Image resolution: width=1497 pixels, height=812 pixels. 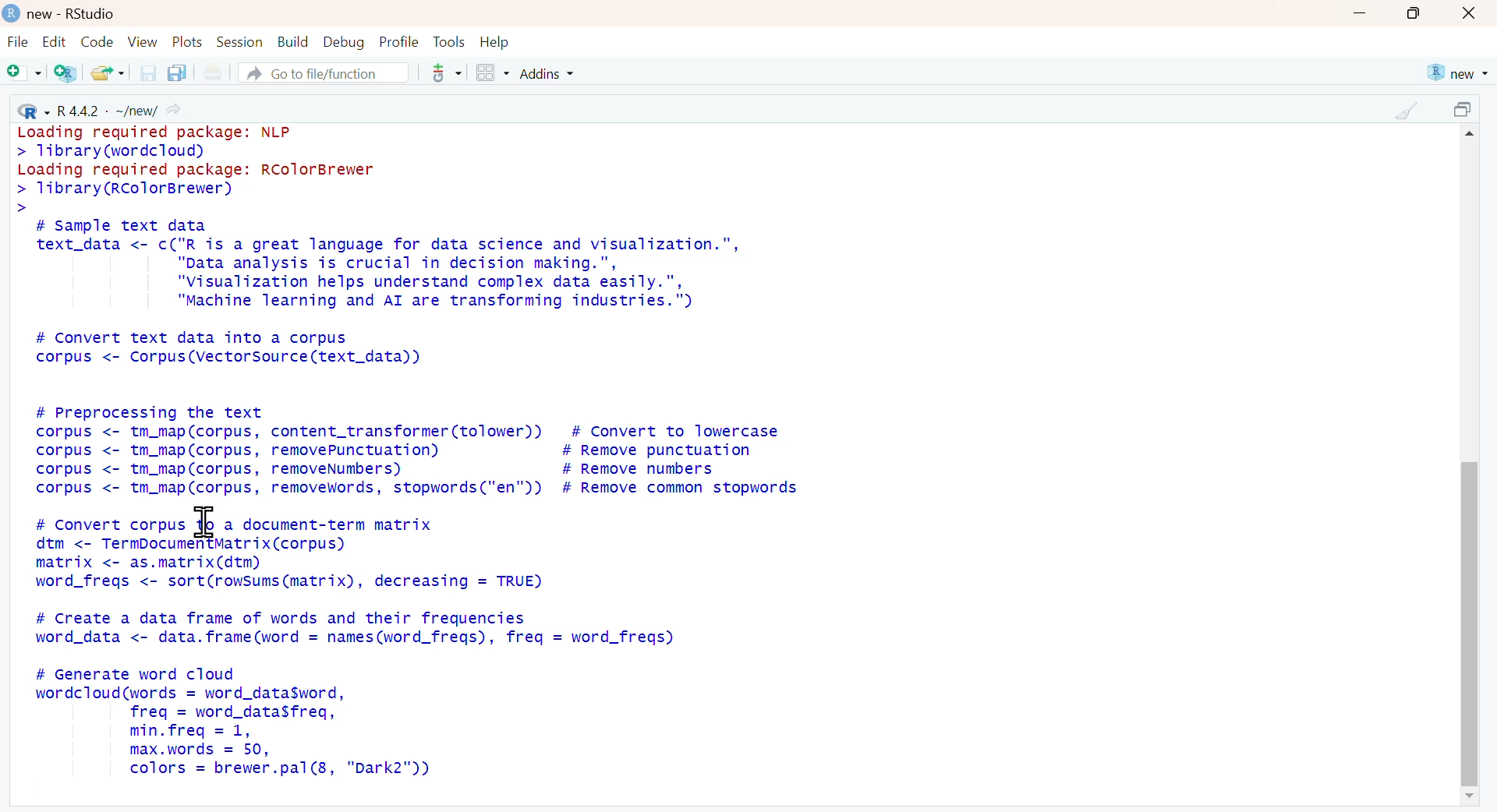 What do you see at coordinates (495, 42) in the screenshot?
I see `Help` at bounding box center [495, 42].